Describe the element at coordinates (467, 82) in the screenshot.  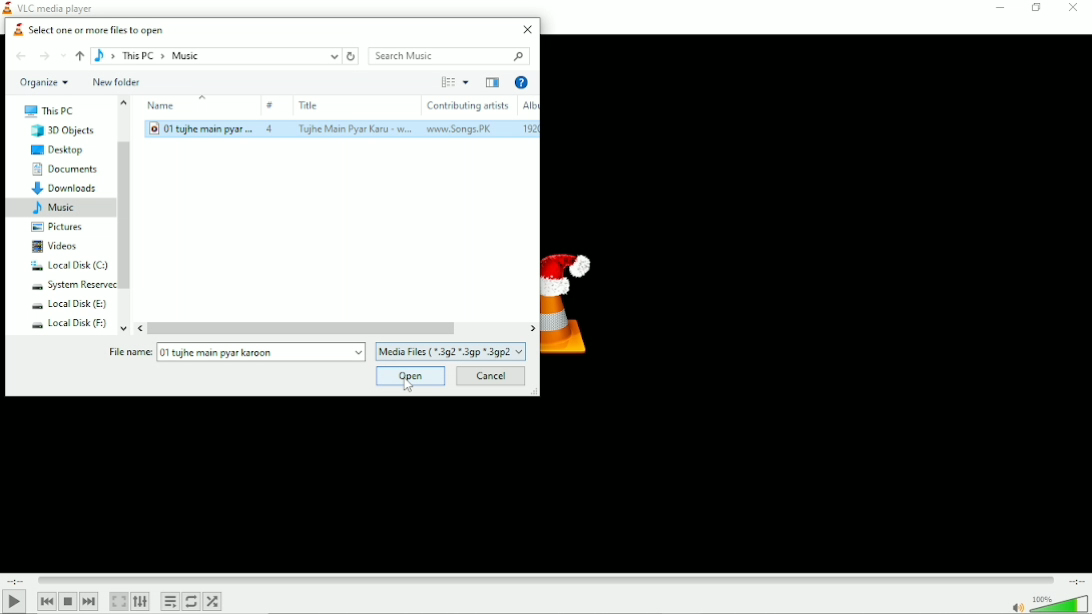
I see `More options` at that location.